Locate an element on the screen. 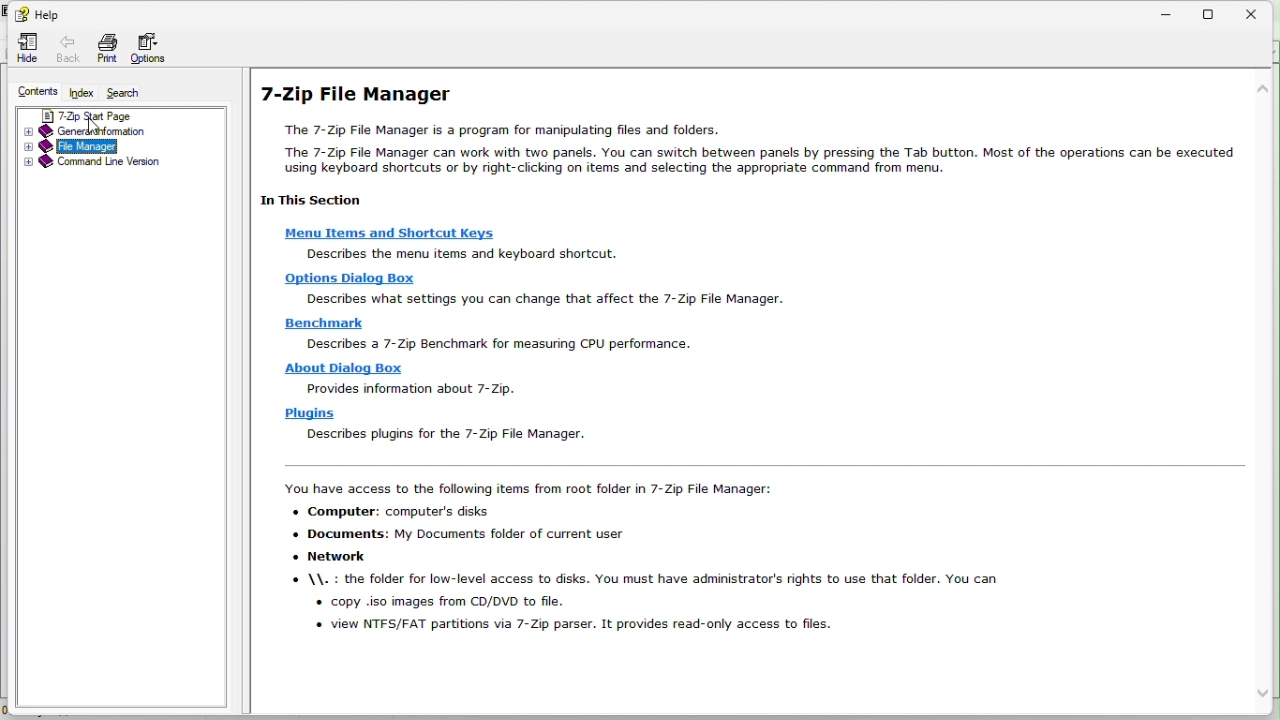 This screenshot has height=720, width=1280. index is located at coordinates (83, 93).